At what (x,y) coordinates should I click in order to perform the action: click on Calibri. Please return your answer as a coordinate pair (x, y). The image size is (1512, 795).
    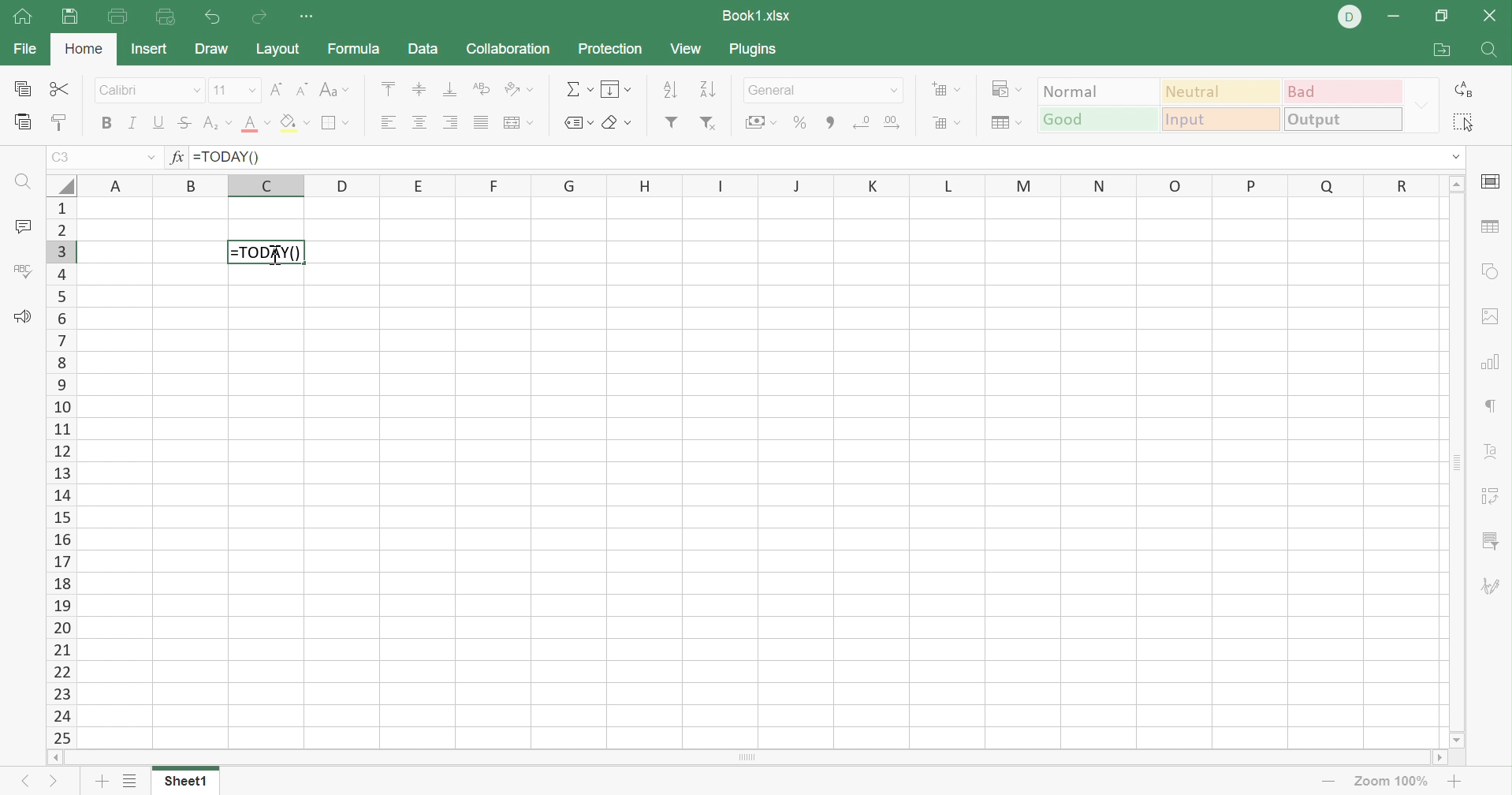
    Looking at the image, I should click on (122, 89).